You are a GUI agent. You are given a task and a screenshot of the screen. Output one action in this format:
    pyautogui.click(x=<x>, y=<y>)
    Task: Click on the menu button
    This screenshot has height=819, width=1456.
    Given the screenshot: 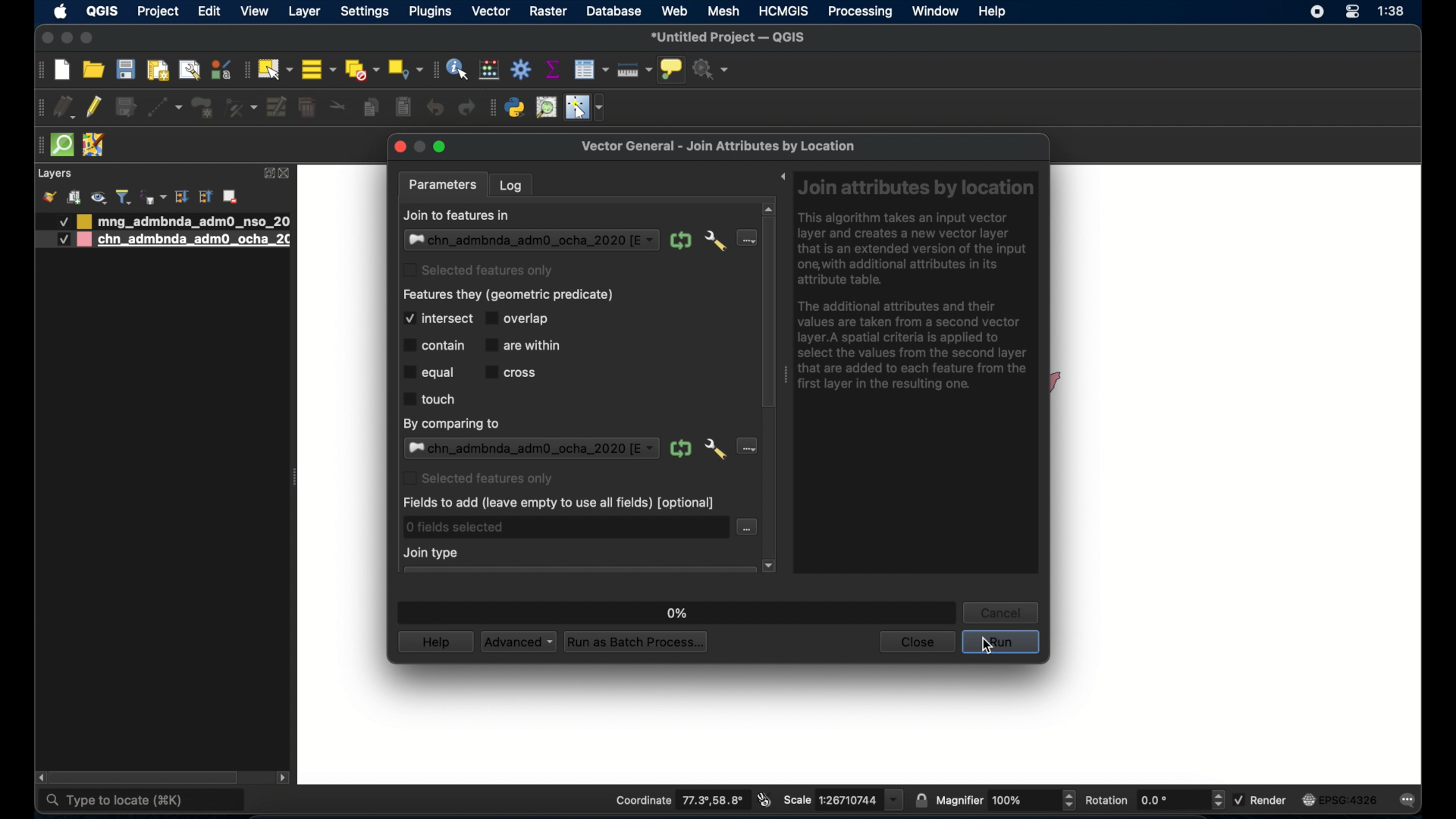 What is the action you would take?
    pyautogui.click(x=747, y=527)
    